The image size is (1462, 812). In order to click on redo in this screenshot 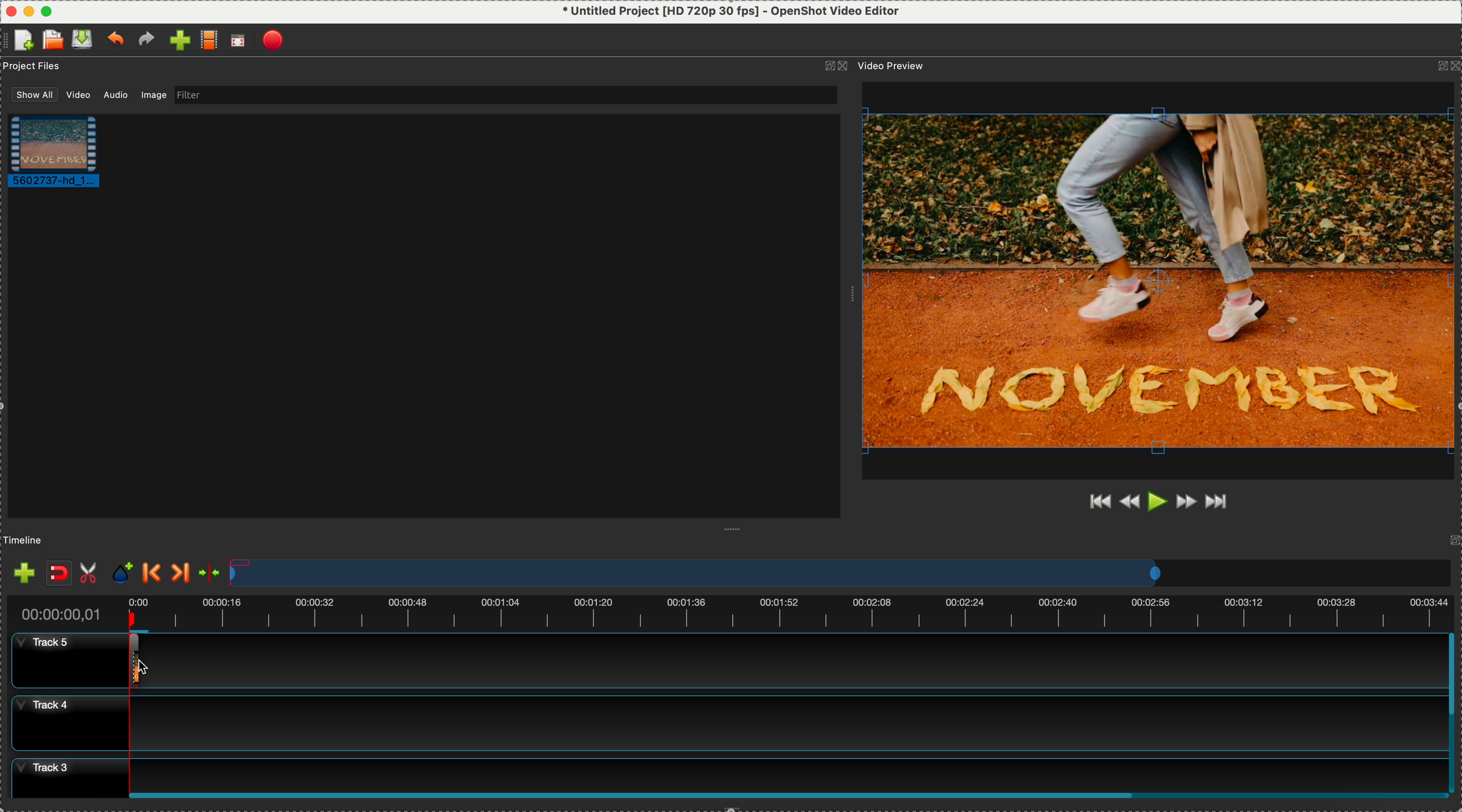, I will do `click(146, 40)`.